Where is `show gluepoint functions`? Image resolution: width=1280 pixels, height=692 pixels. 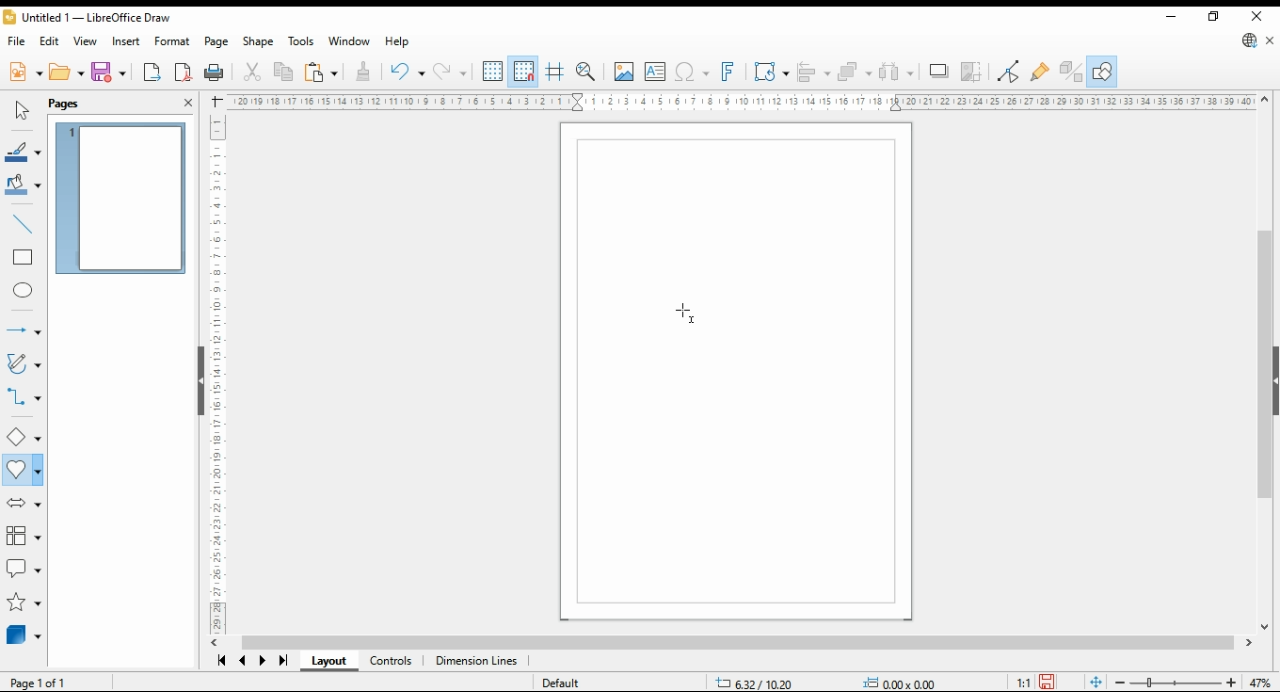
show gluepoint functions is located at coordinates (1040, 73).